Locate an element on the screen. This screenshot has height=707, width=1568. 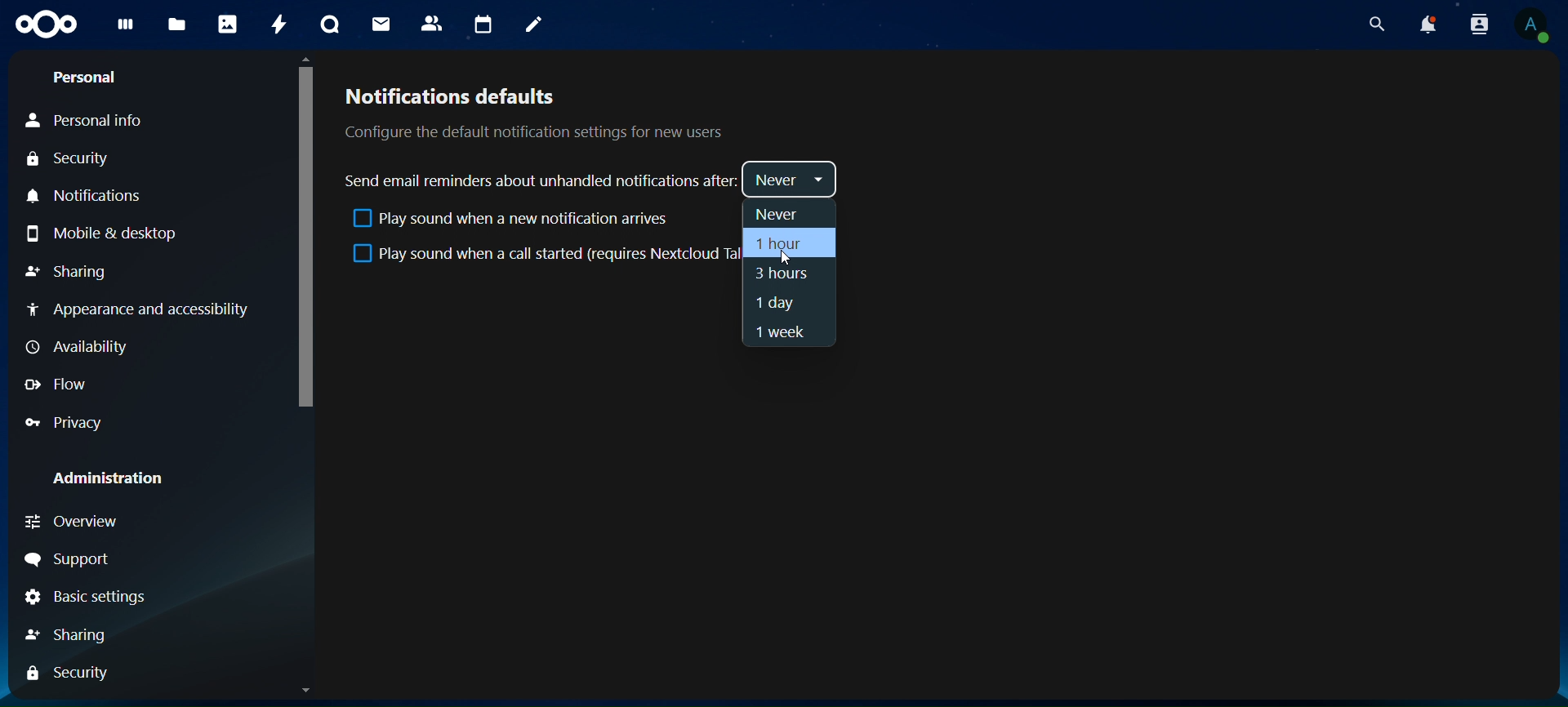
 hour is located at coordinates (781, 244).